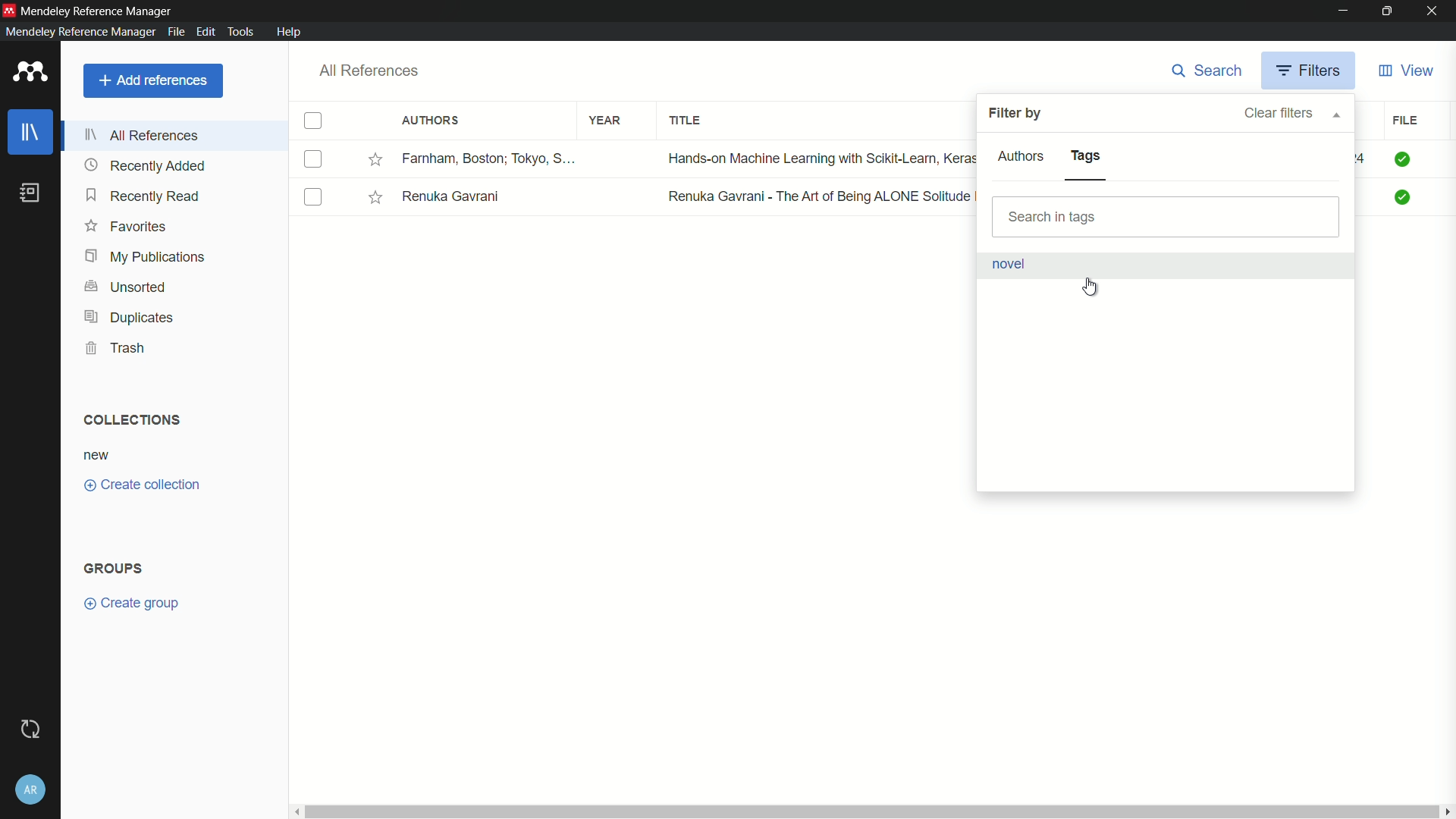 The image size is (1456, 819). What do you see at coordinates (145, 196) in the screenshot?
I see `recently read` at bounding box center [145, 196].